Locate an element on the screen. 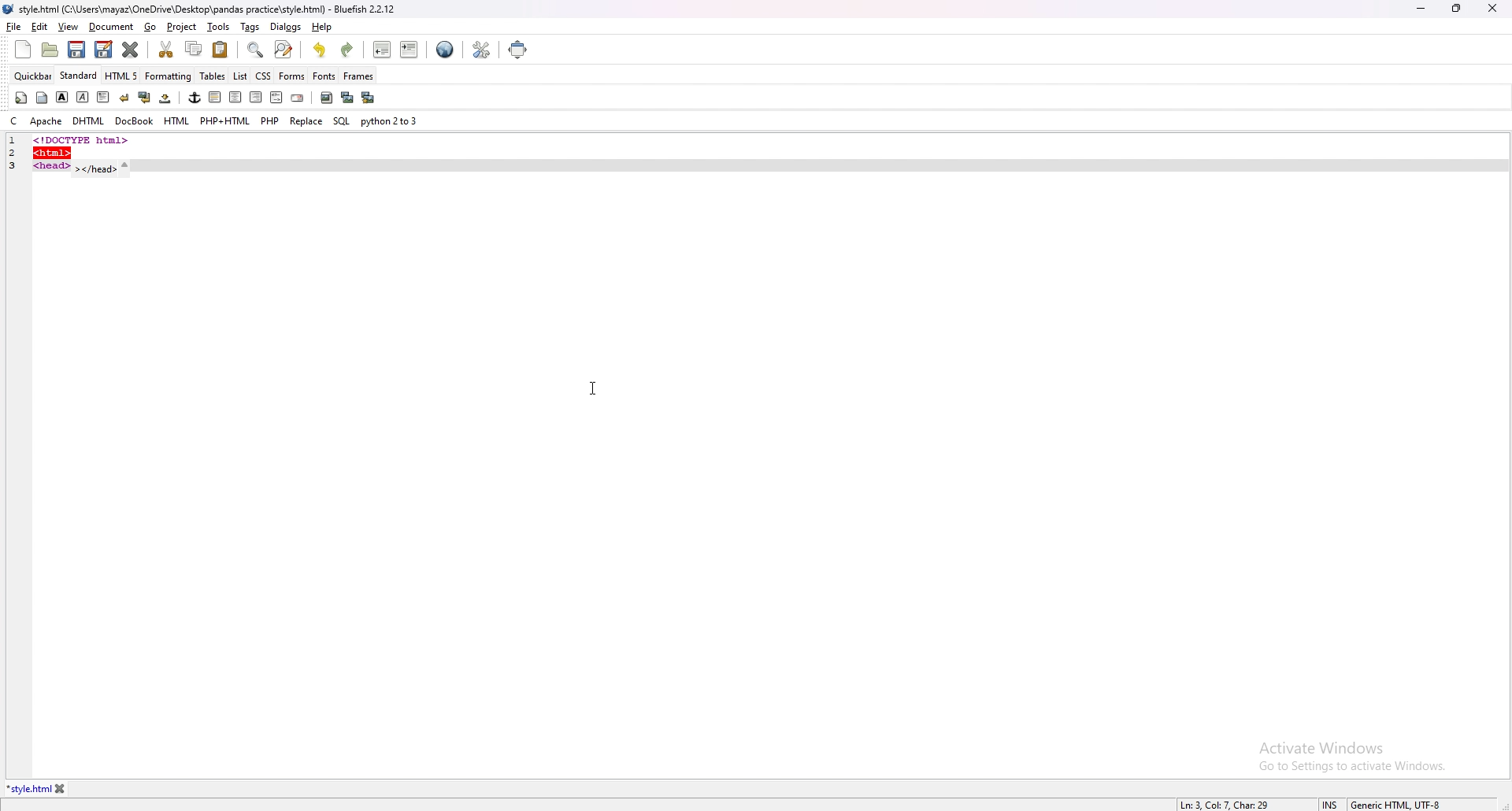 The width and height of the screenshot is (1512, 811). help is located at coordinates (321, 27).